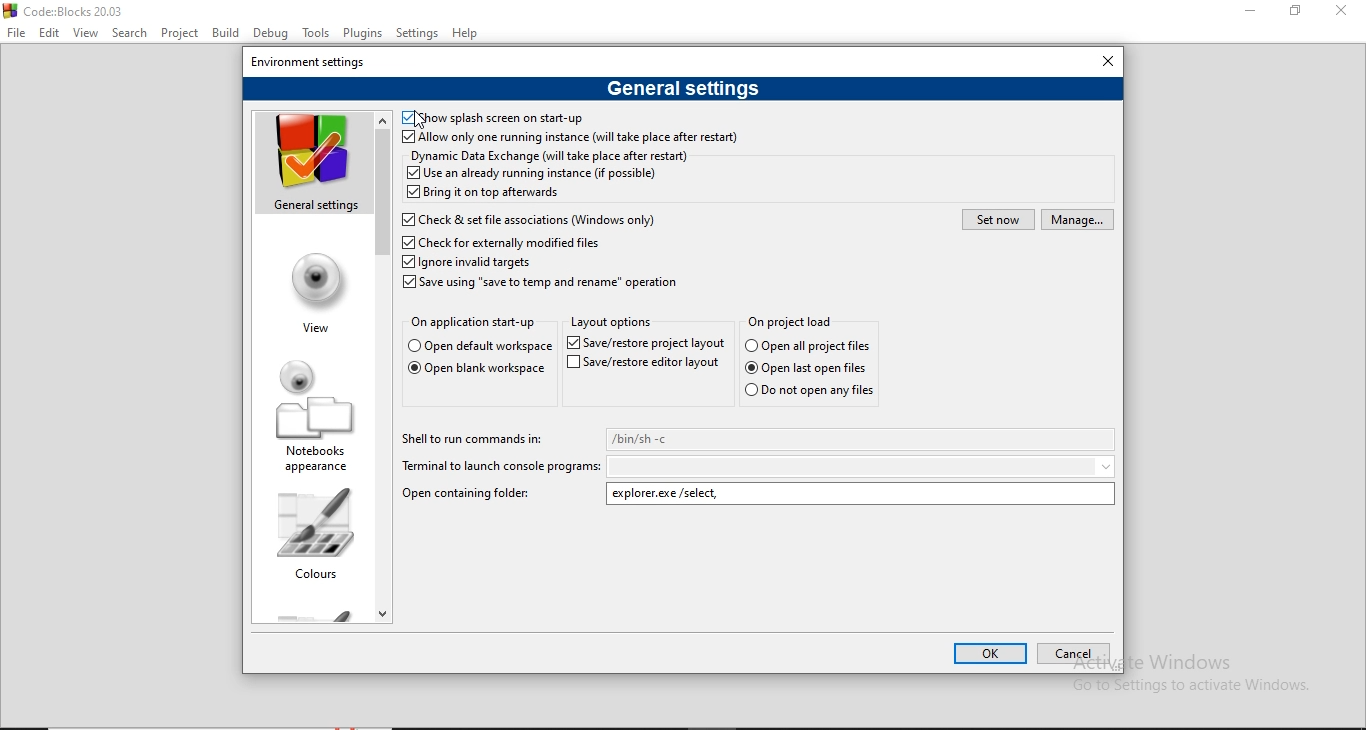  What do you see at coordinates (476, 370) in the screenshot?
I see `Open blank workspace` at bounding box center [476, 370].